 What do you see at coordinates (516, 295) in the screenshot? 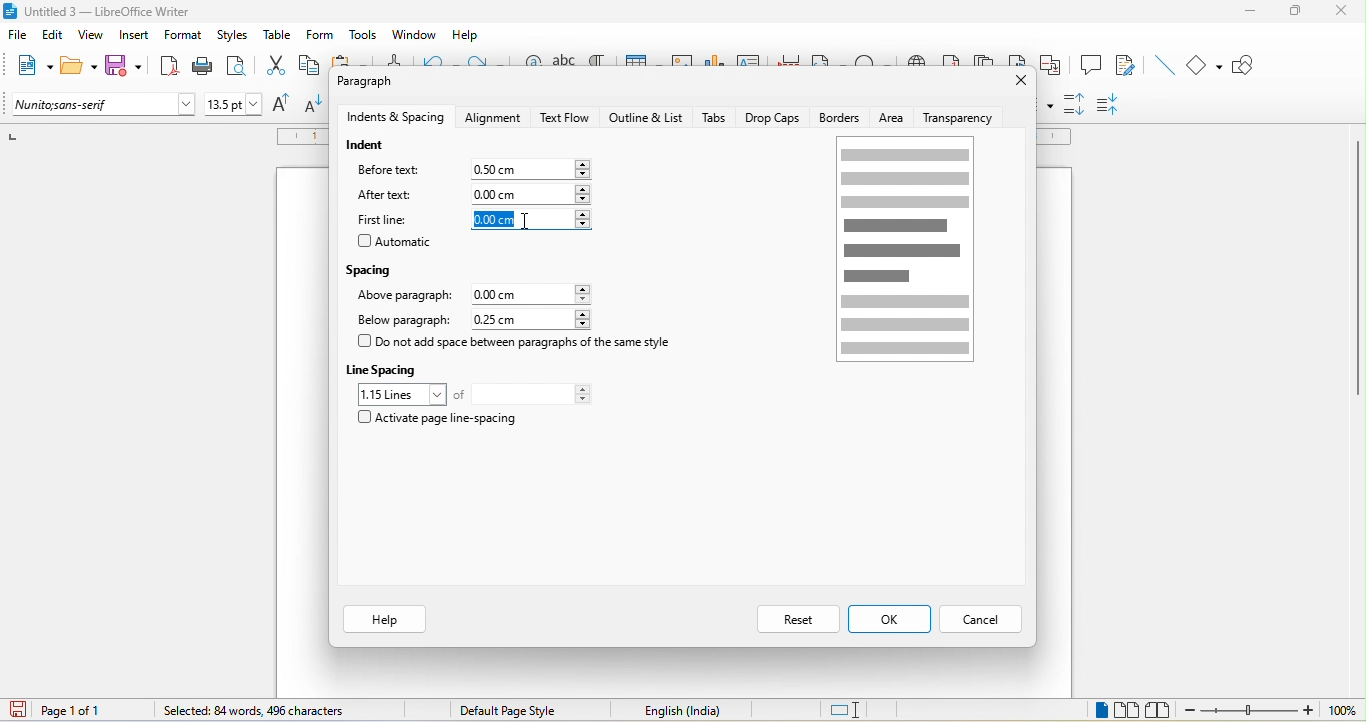
I see `0.00 cm` at bounding box center [516, 295].